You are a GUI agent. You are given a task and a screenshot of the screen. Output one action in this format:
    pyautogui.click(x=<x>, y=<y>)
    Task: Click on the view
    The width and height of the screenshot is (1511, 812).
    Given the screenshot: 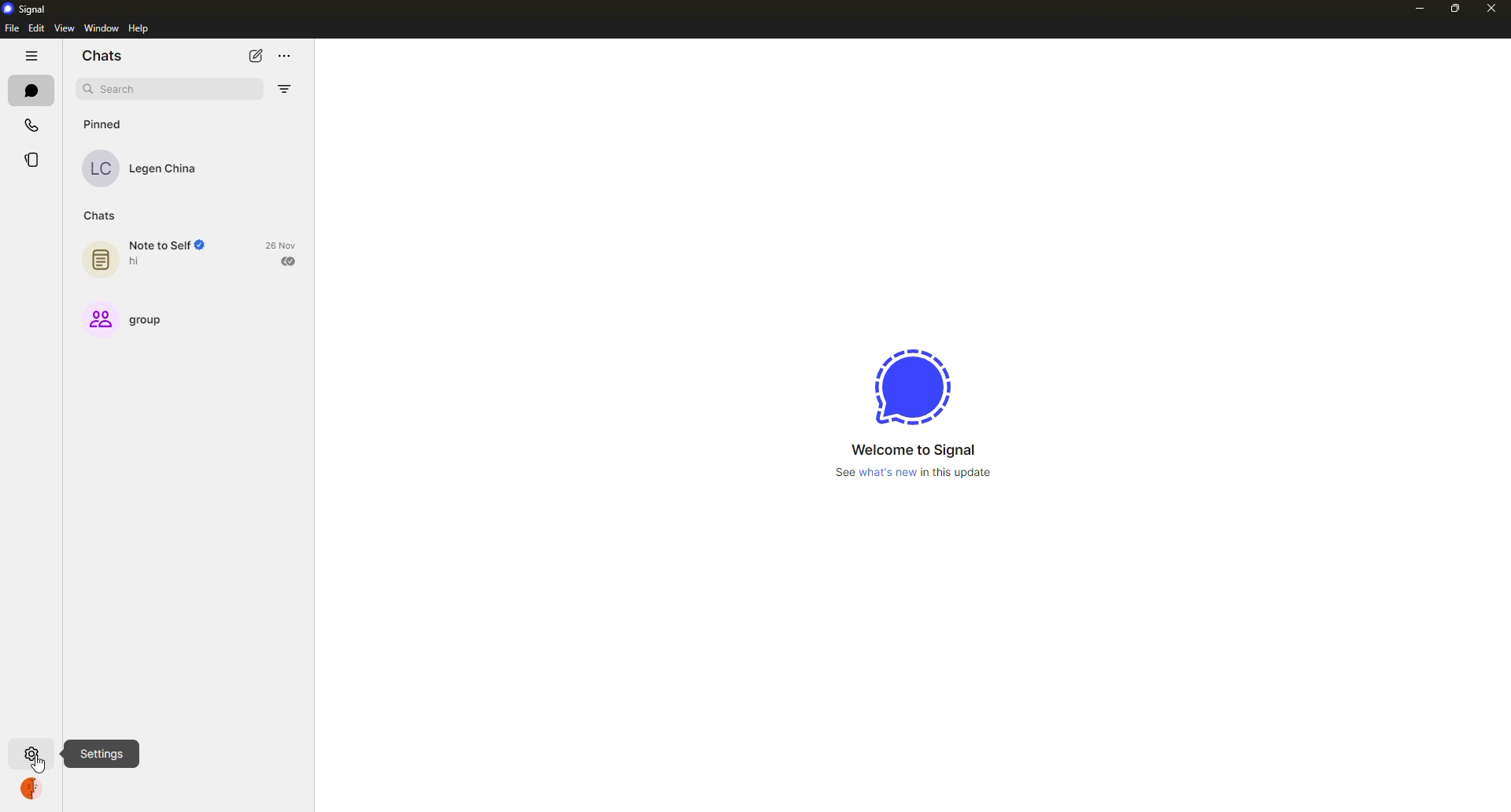 What is the action you would take?
    pyautogui.click(x=62, y=28)
    